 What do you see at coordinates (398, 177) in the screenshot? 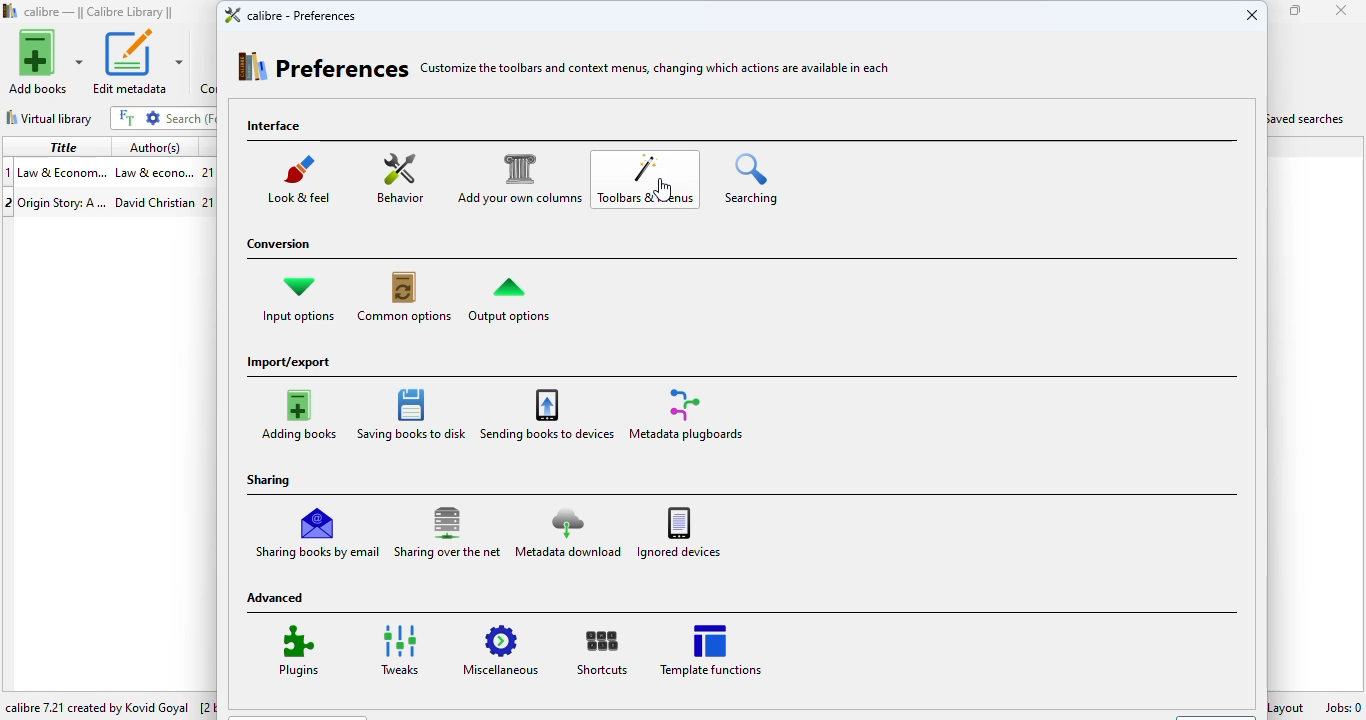
I see `behavior` at bounding box center [398, 177].